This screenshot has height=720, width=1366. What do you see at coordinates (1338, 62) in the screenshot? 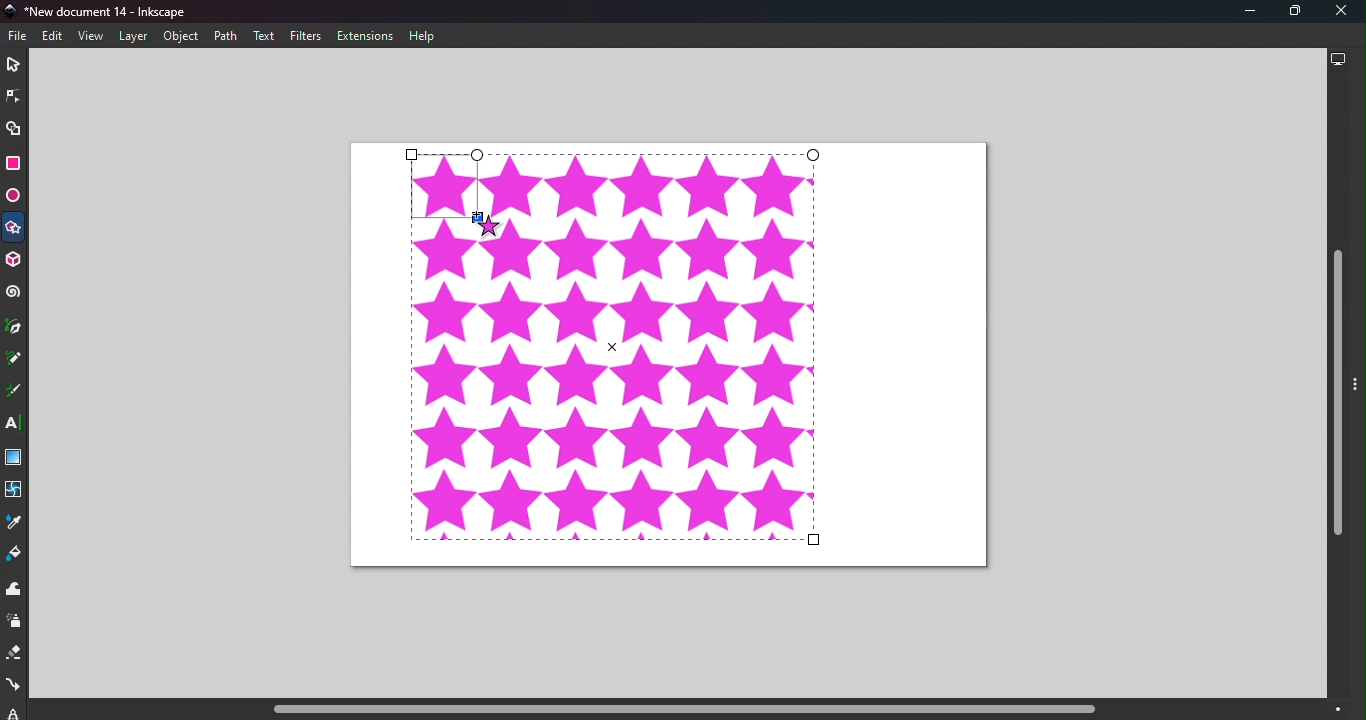
I see `Display options` at bounding box center [1338, 62].